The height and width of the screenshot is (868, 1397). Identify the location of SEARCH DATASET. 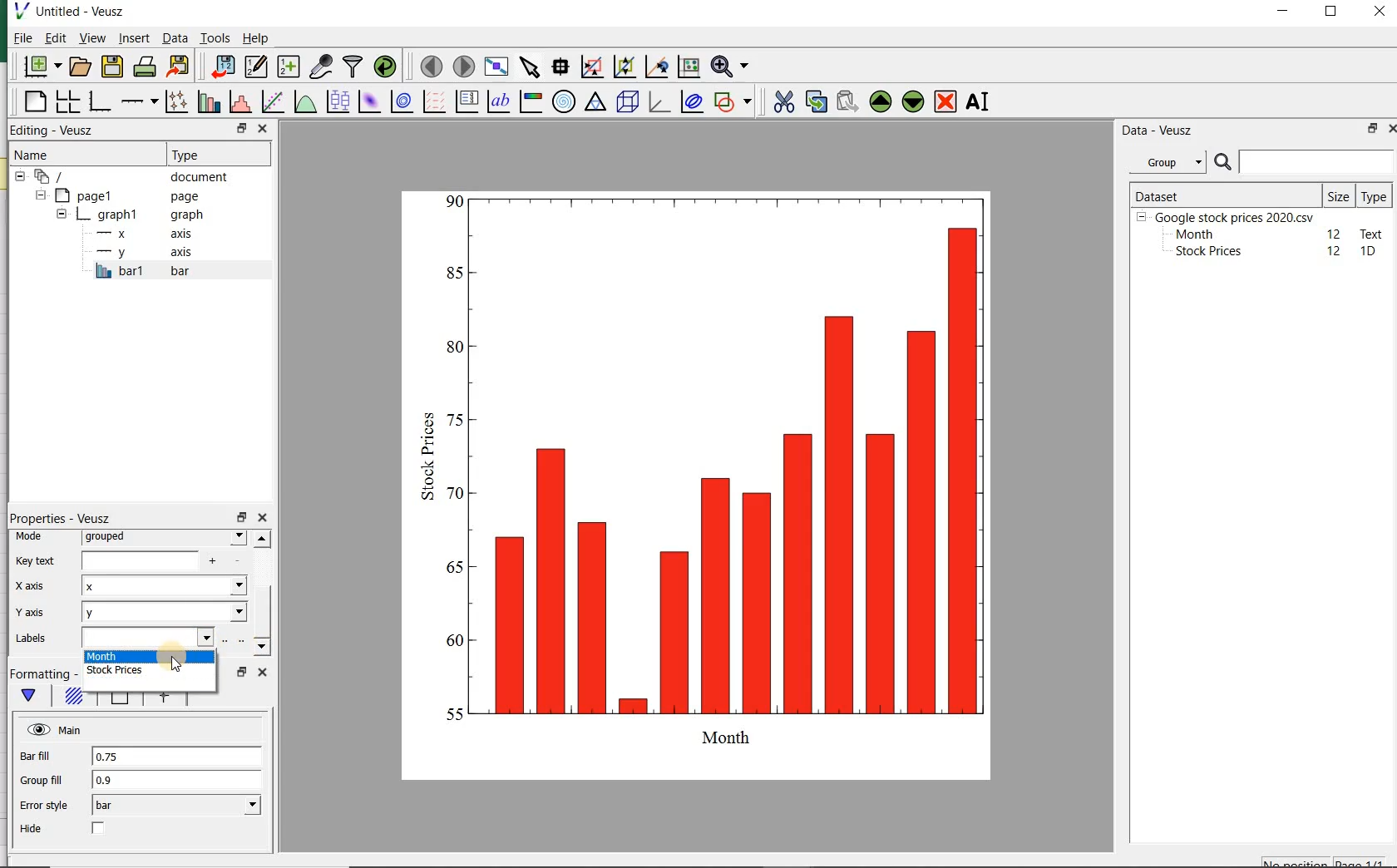
(1304, 161).